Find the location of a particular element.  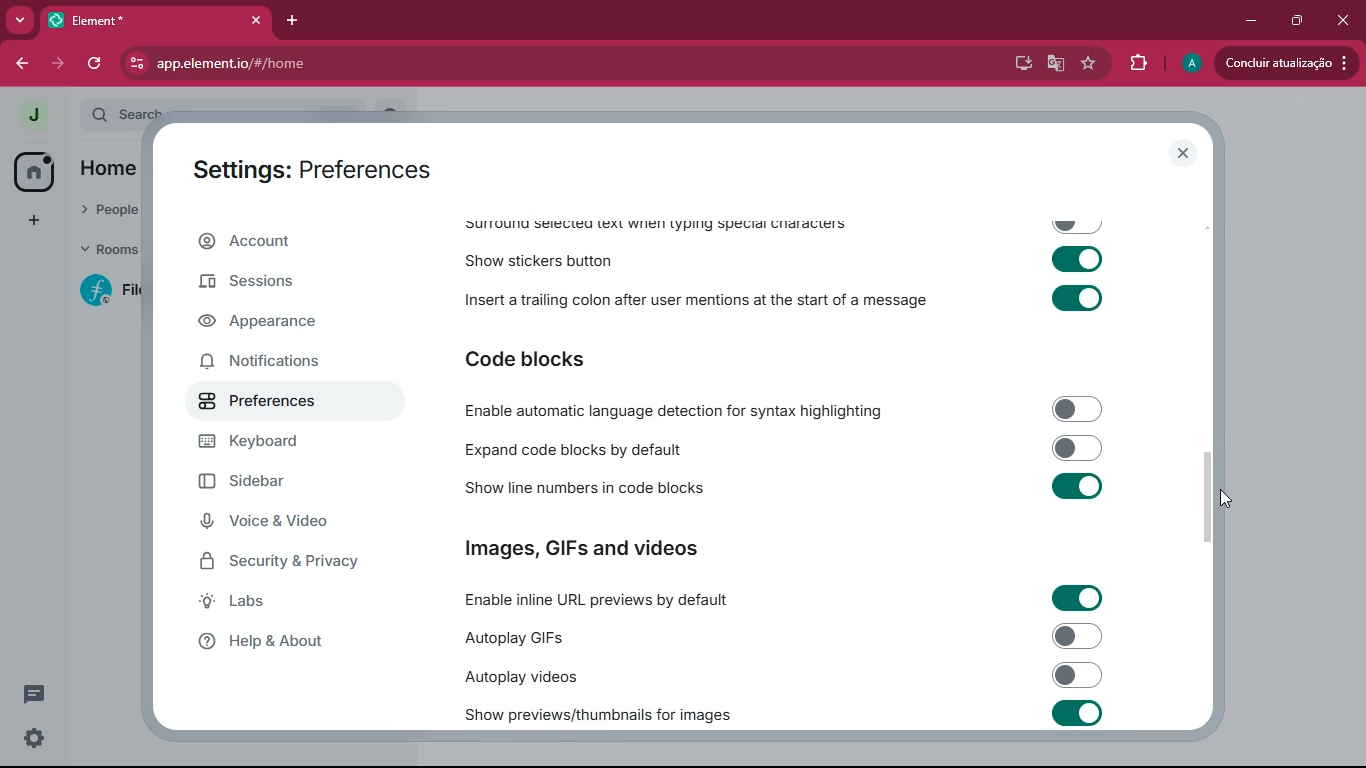

close is located at coordinates (1183, 153).